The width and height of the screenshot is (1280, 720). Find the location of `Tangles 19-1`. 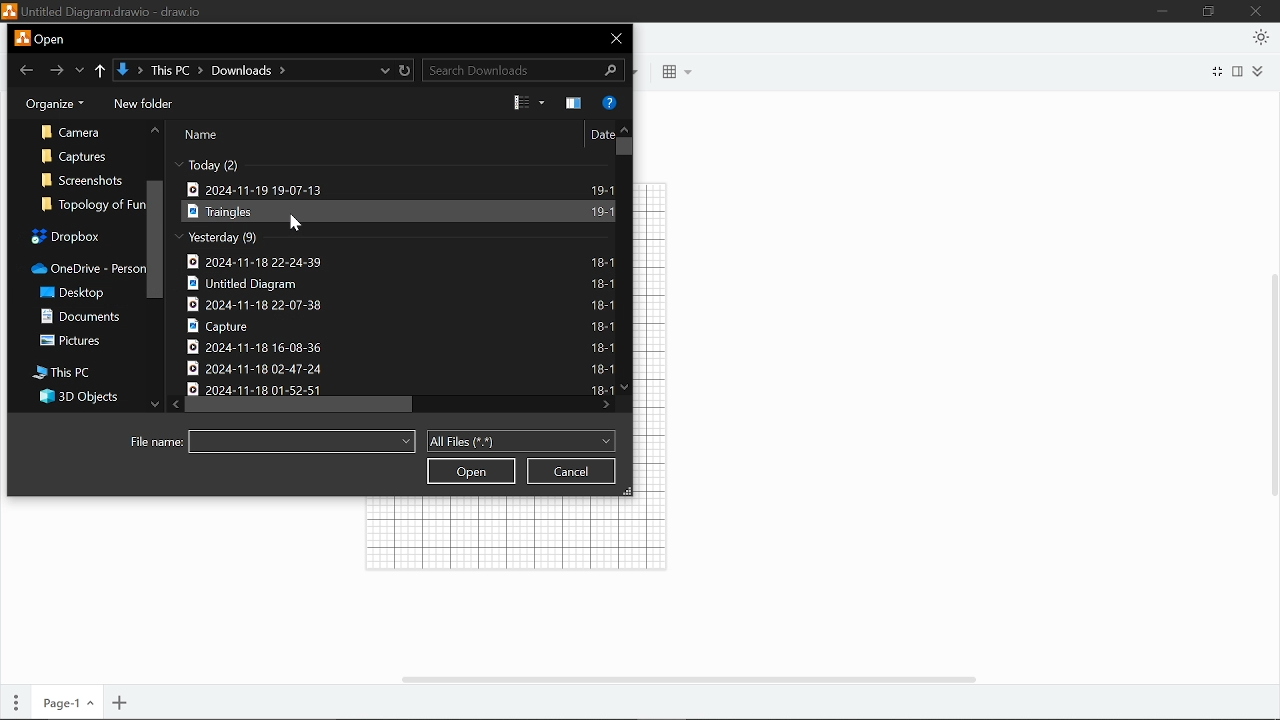

Tangles 19-1 is located at coordinates (397, 212).